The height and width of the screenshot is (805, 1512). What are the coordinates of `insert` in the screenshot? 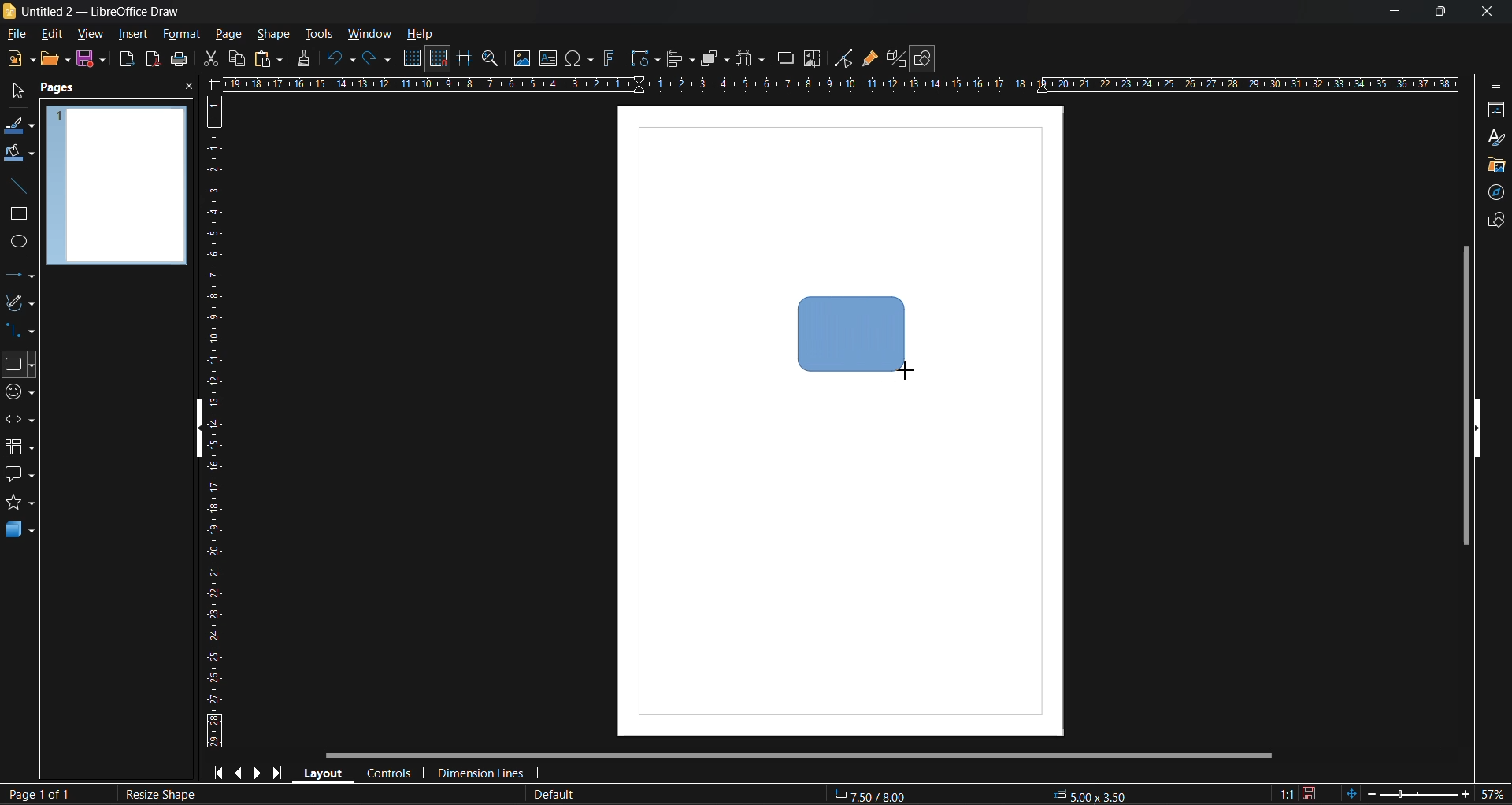 It's located at (130, 34).